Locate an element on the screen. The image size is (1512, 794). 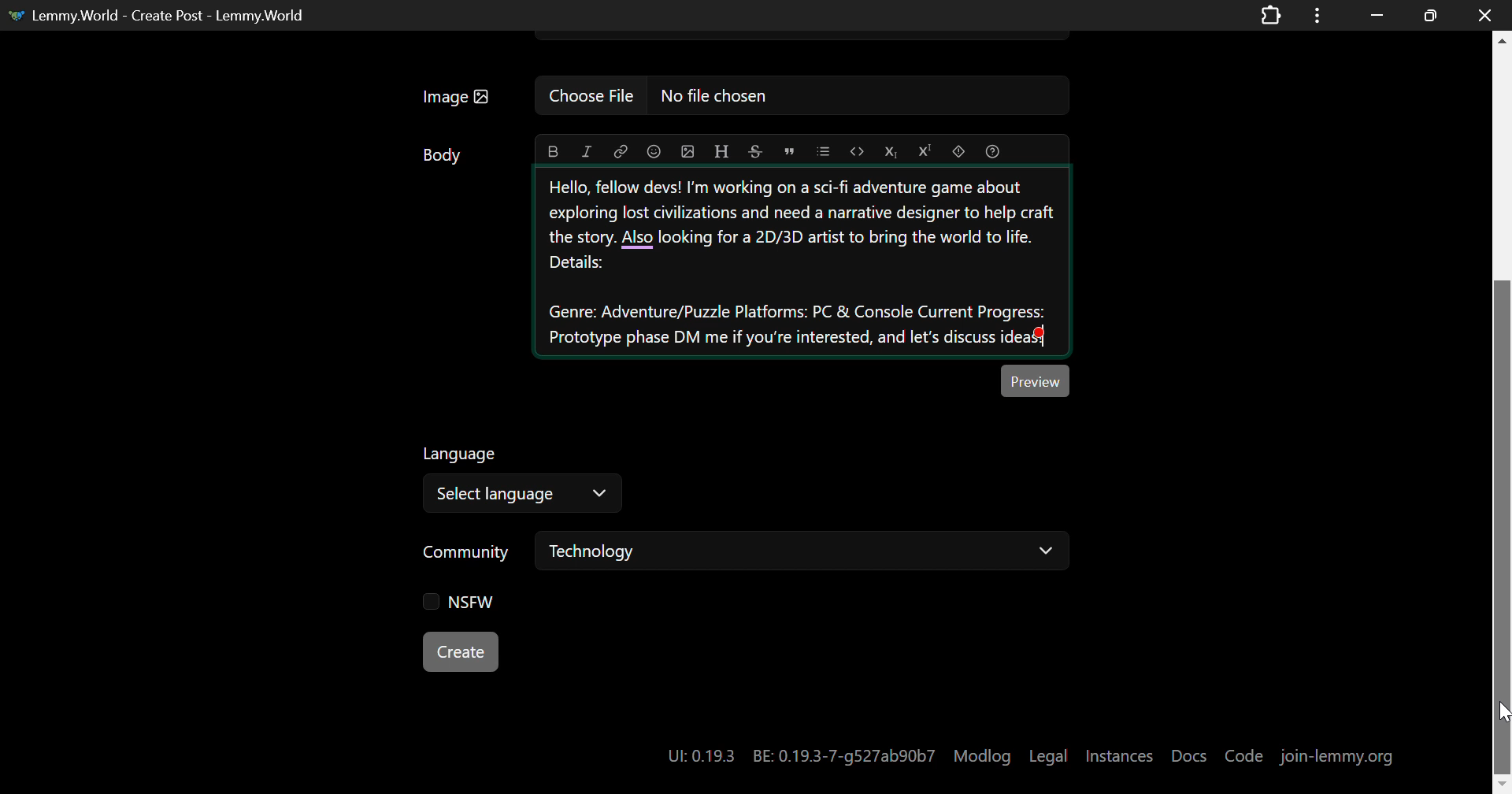
bold is located at coordinates (552, 151).